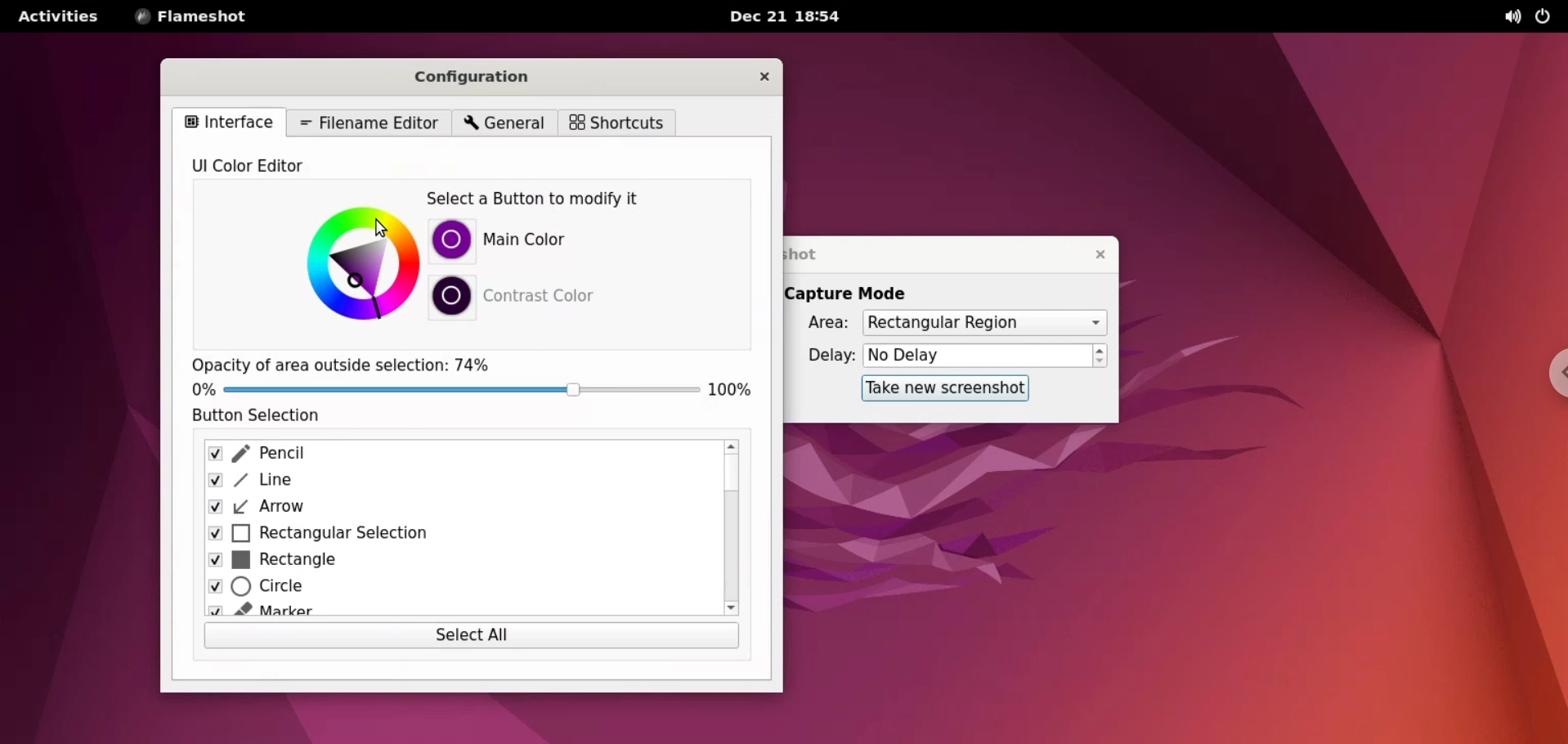 Image resolution: width=1568 pixels, height=744 pixels. What do you see at coordinates (371, 124) in the screenshot?
I see `filename editor` at bounding box center [371, 124].